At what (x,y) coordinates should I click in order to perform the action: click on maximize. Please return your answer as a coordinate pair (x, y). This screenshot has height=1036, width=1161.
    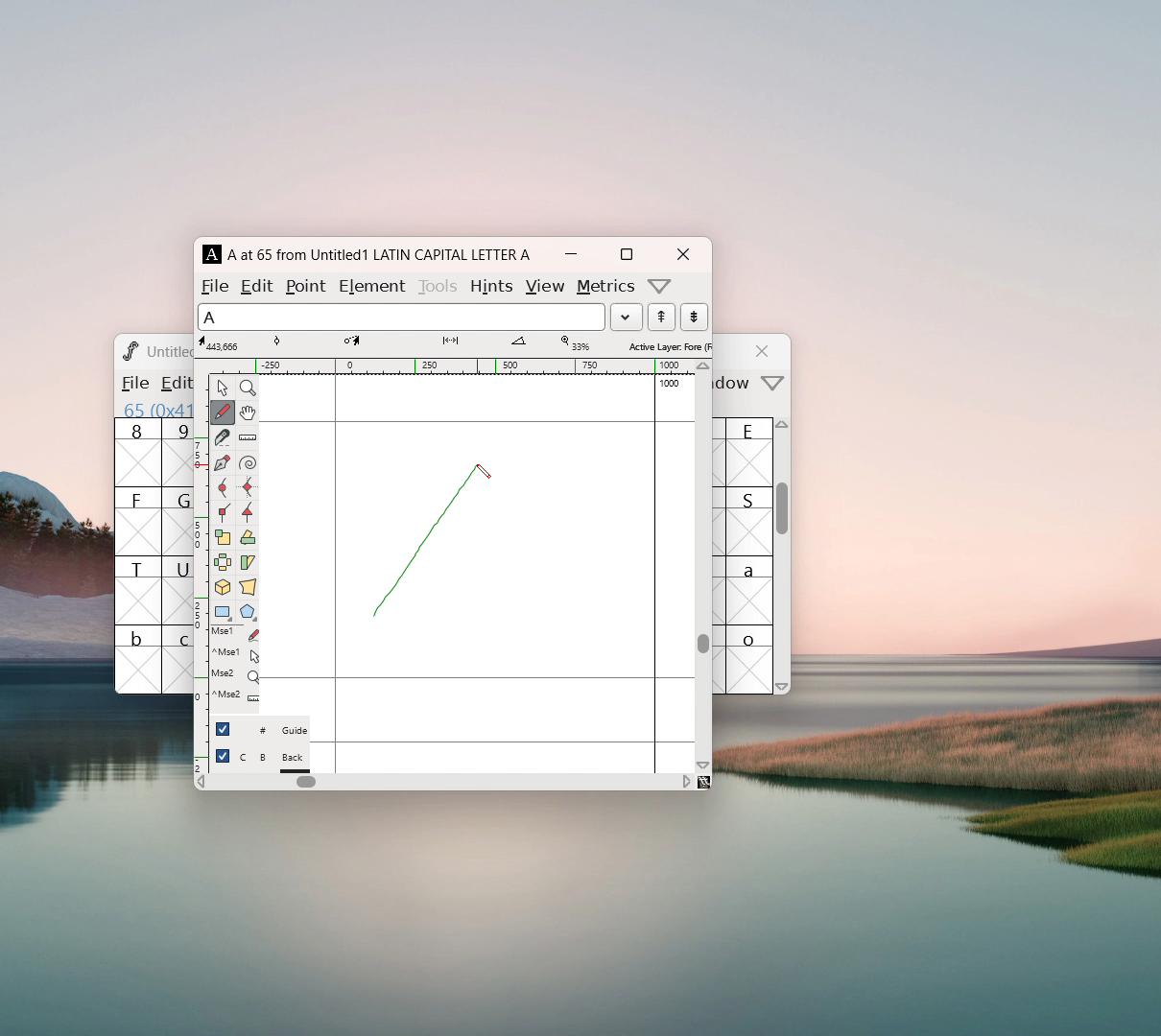
    Looking at the image, I should click on (626, 254).